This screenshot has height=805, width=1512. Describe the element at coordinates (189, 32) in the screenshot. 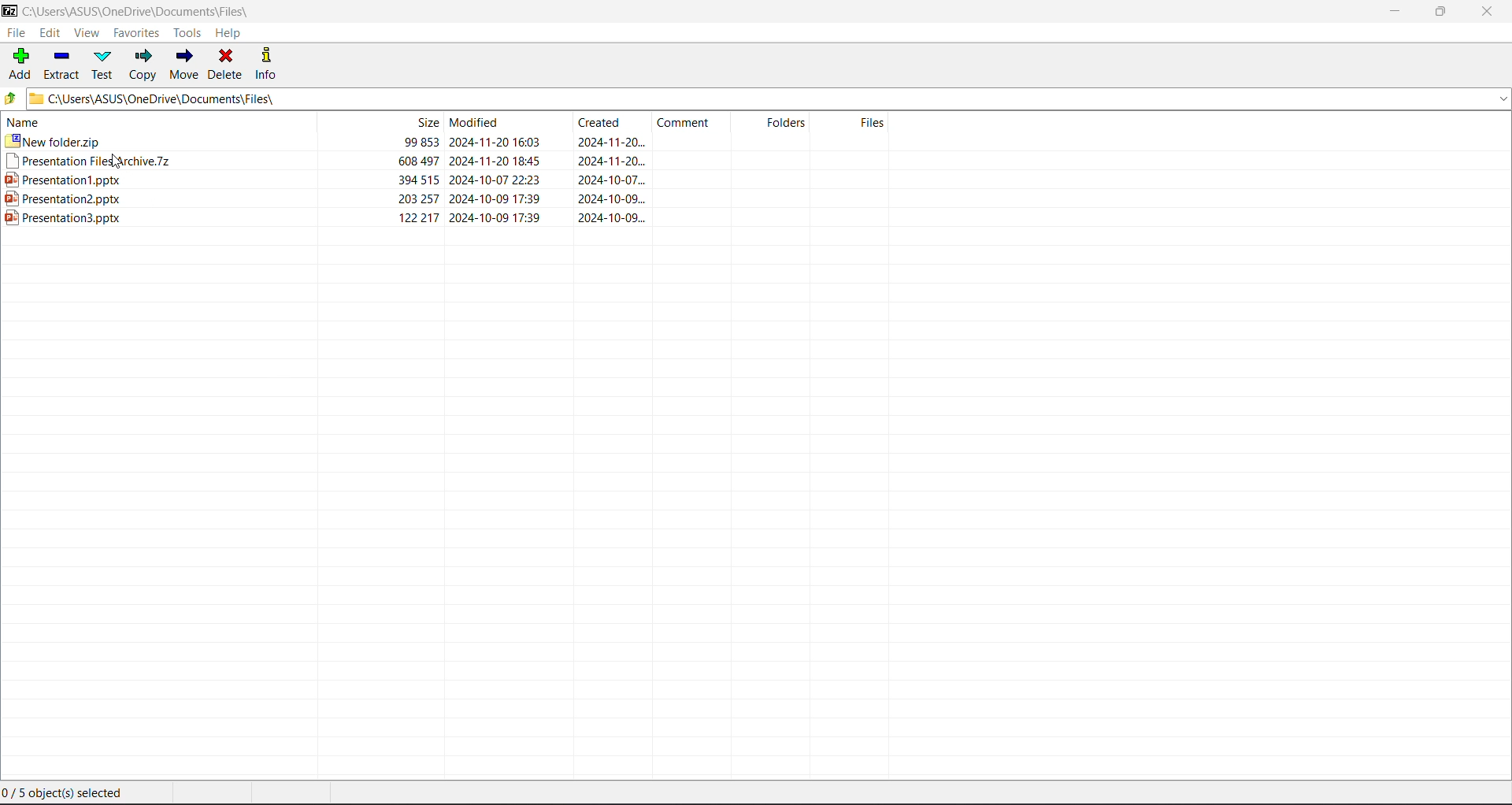

I see `Tools` at that location.